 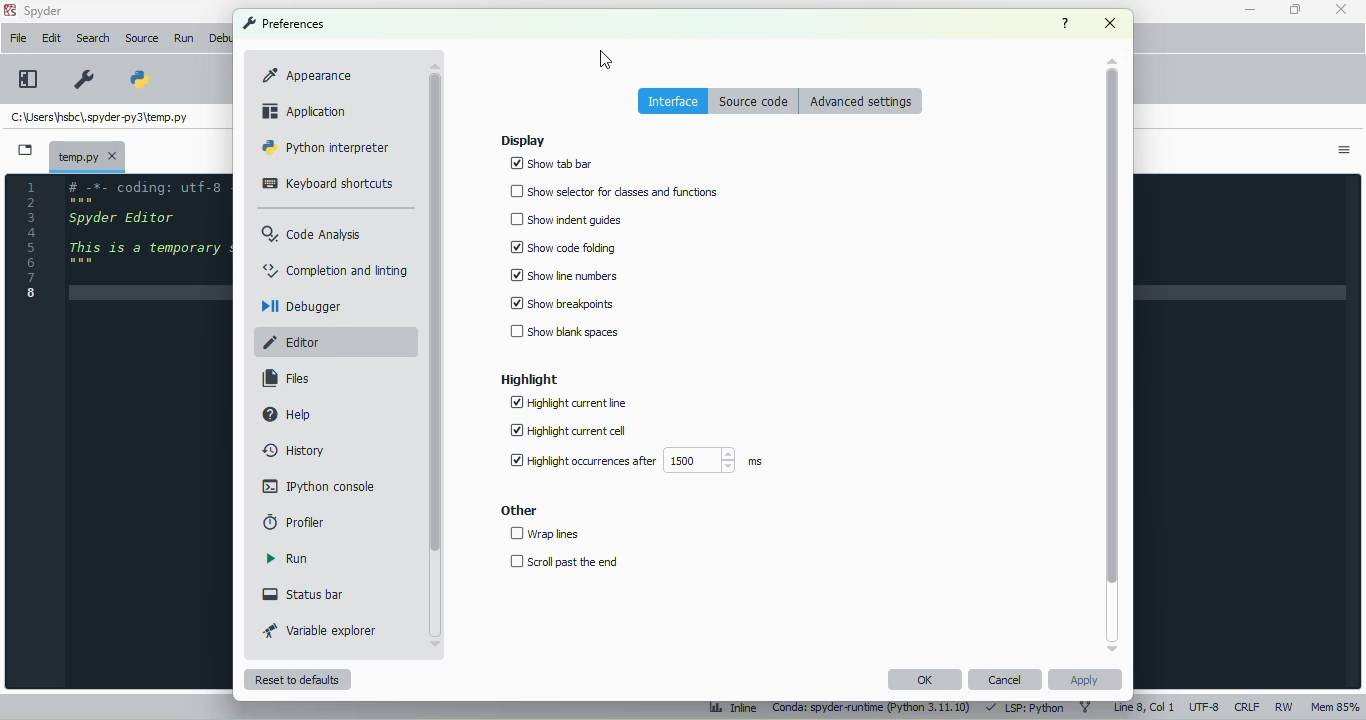 What do you see at coordinates (523, 141) in the screenshot?
I see `display` at bounding box center [523, 141].